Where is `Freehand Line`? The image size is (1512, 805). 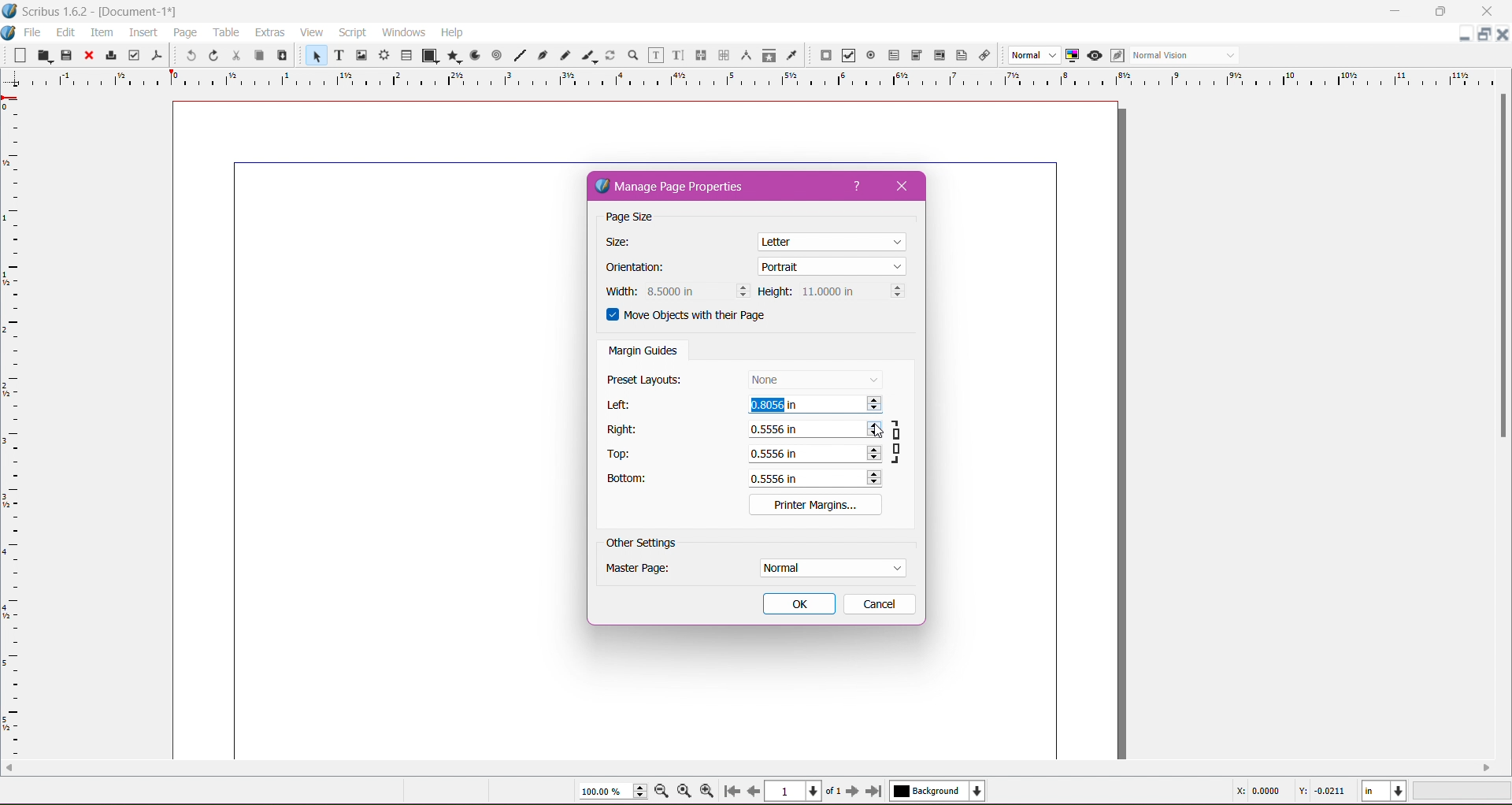
Freehand Line is located at coordinates (565, 55).